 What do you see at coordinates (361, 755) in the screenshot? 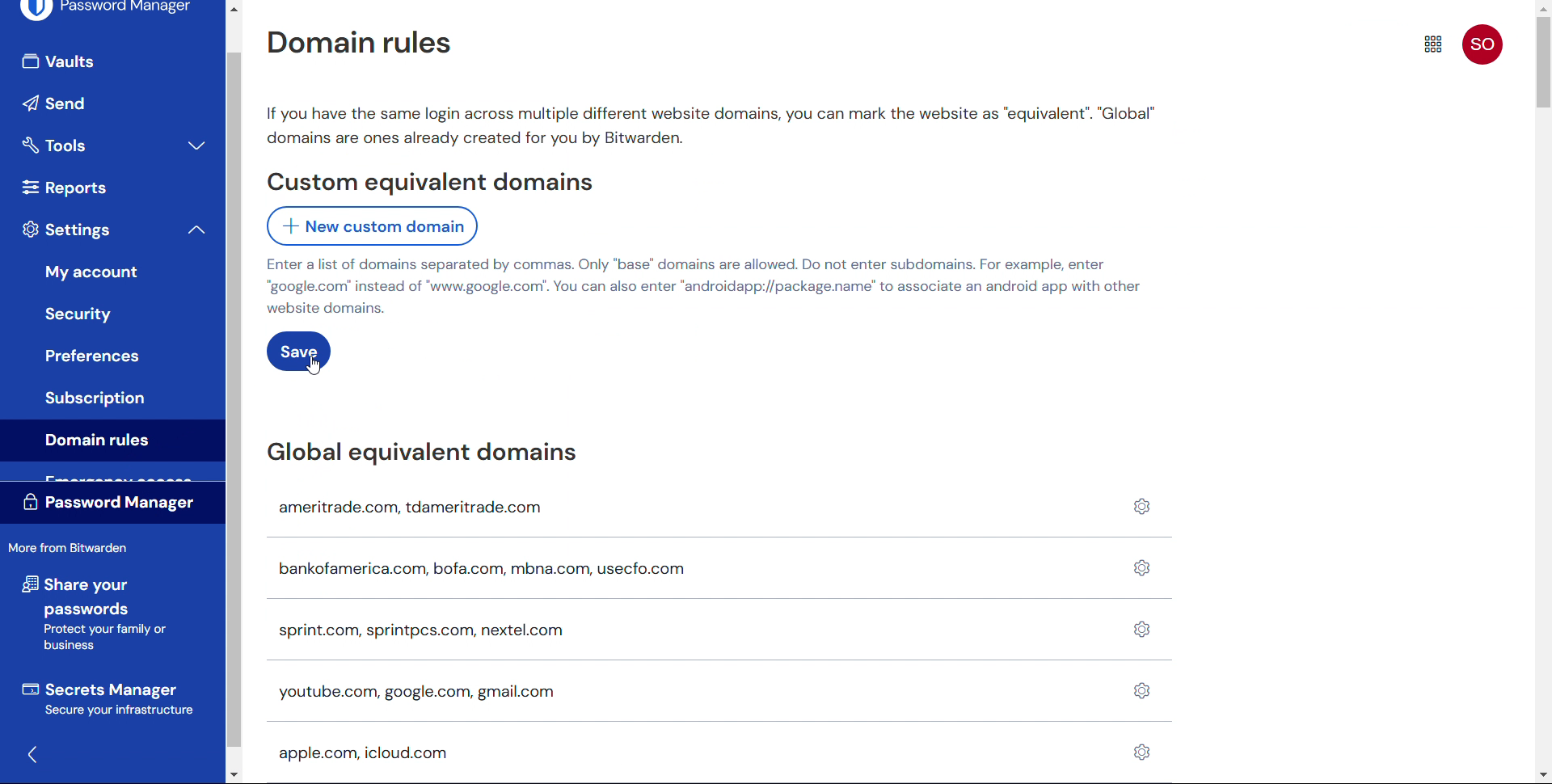
I see `apple.com, icloud.com` at bounding box center [361, 755].